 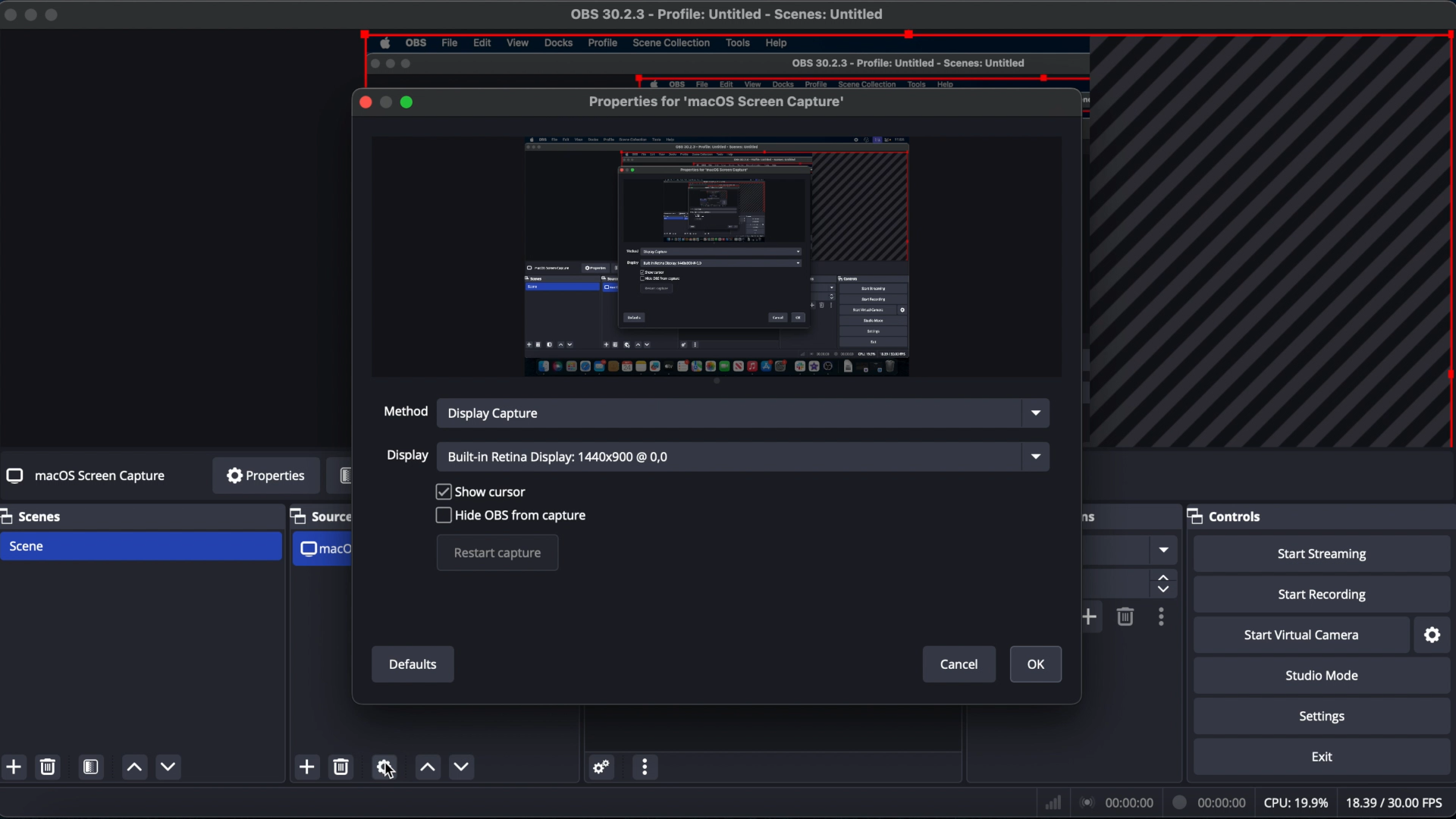 I want to click on sources, so click(x=322, y=516).